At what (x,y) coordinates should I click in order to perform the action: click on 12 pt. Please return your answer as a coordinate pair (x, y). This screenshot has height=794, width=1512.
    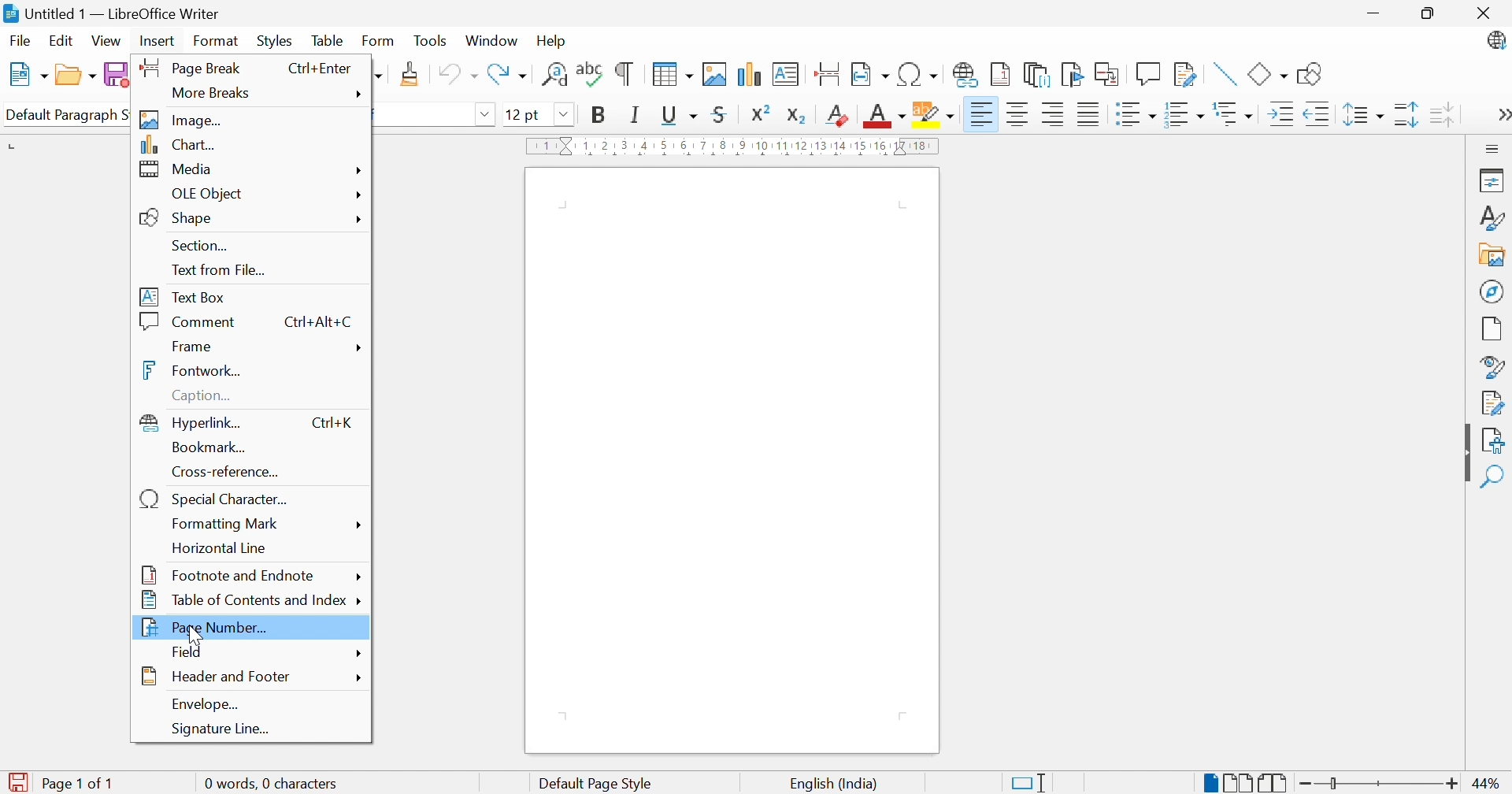
    Looking at the image, I should click on (522, 115).